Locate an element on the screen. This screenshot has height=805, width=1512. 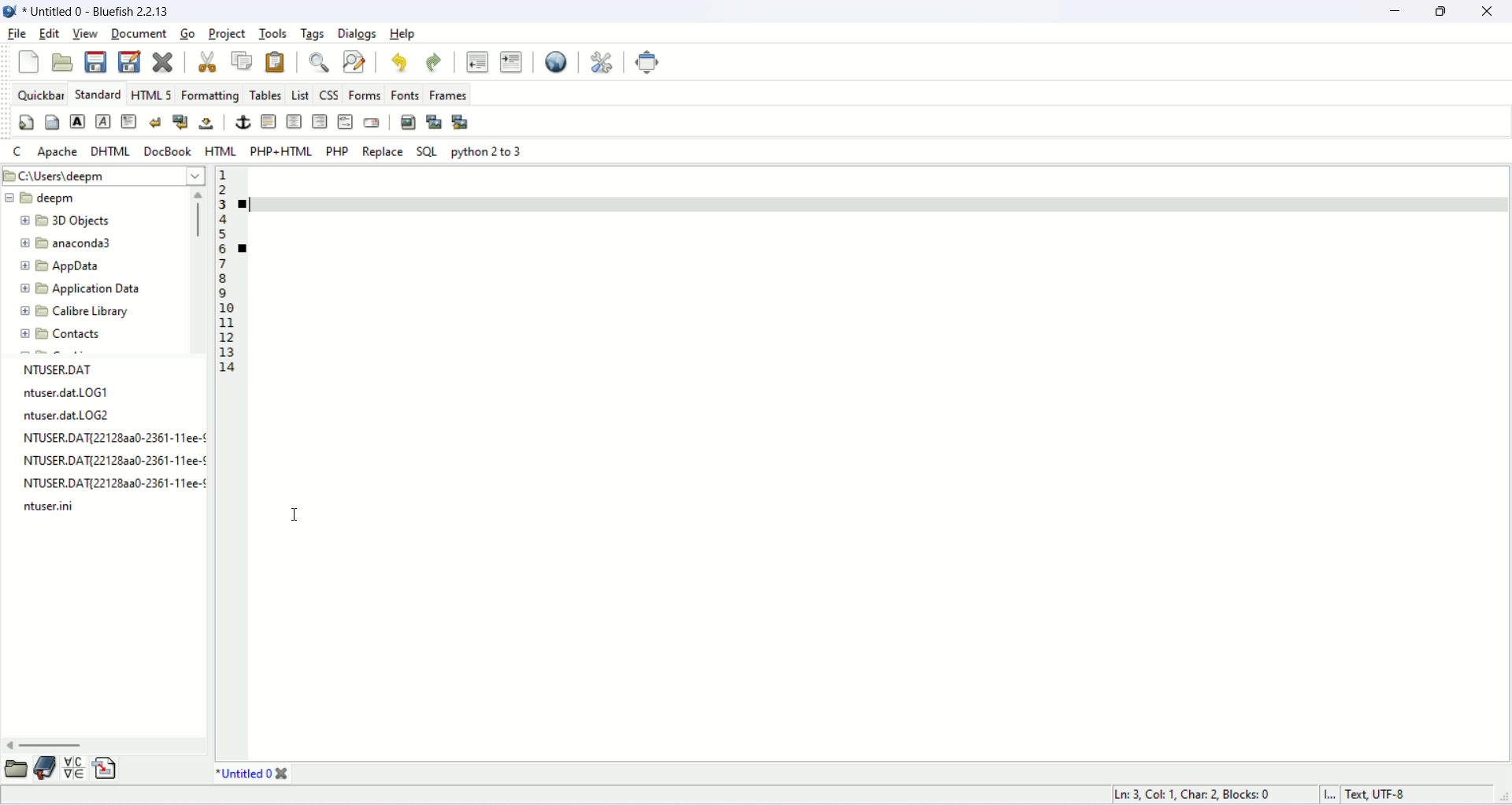
Apache is located at coordinates (57, 153).